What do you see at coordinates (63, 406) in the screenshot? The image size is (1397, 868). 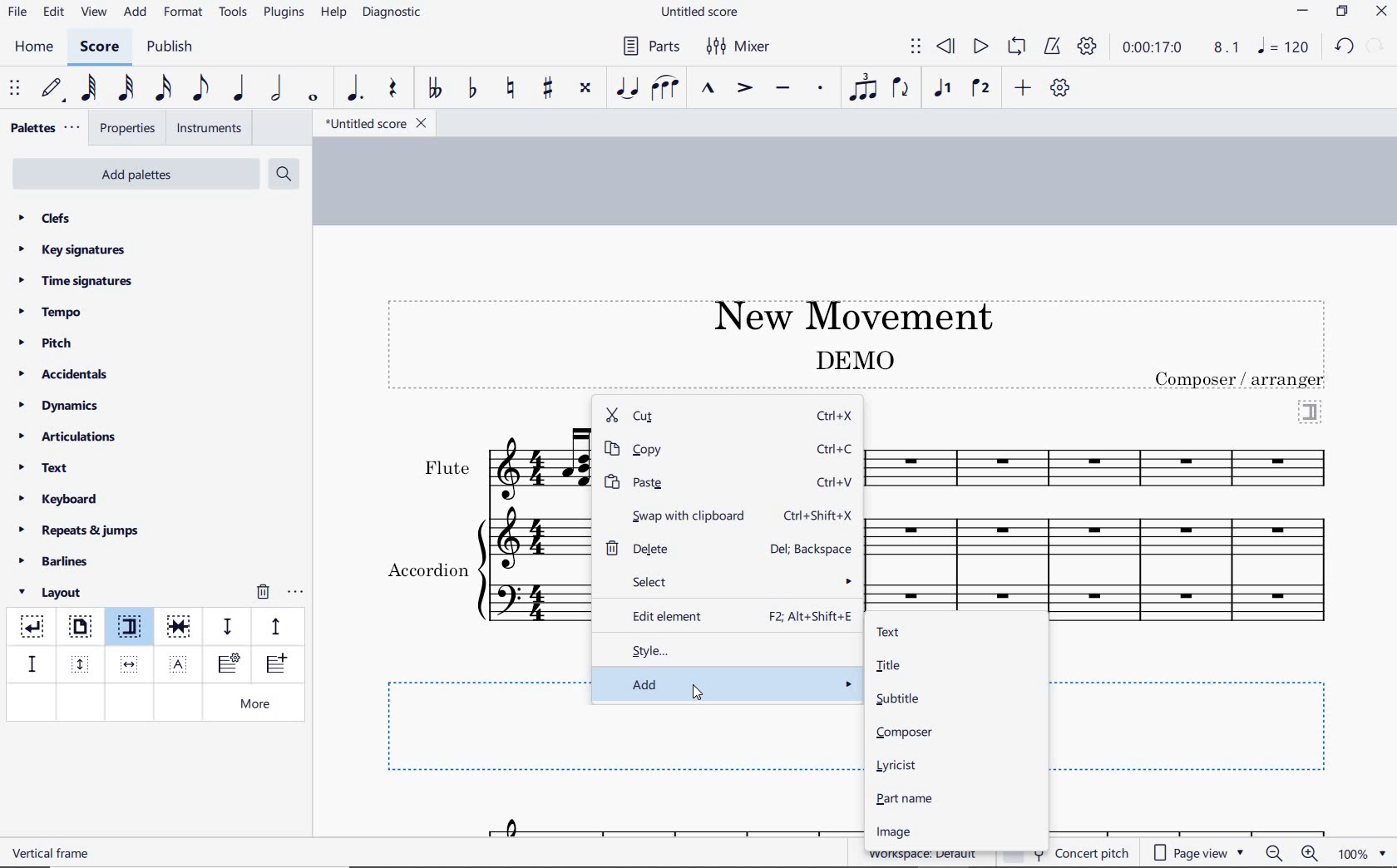 I see `dynamics` at bounding box center [63, 406].